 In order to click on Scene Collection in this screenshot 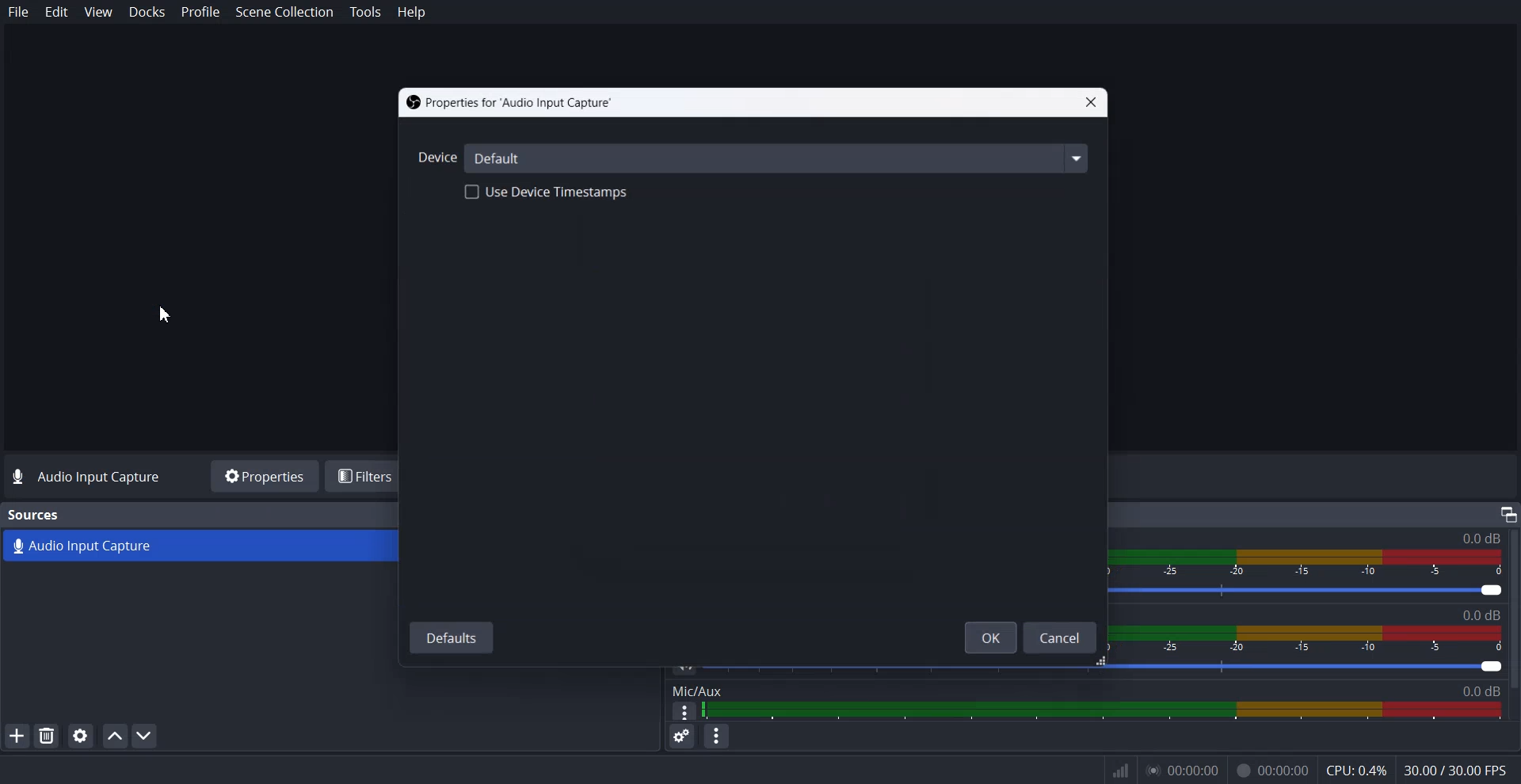, I will do `click(285, 13)`.